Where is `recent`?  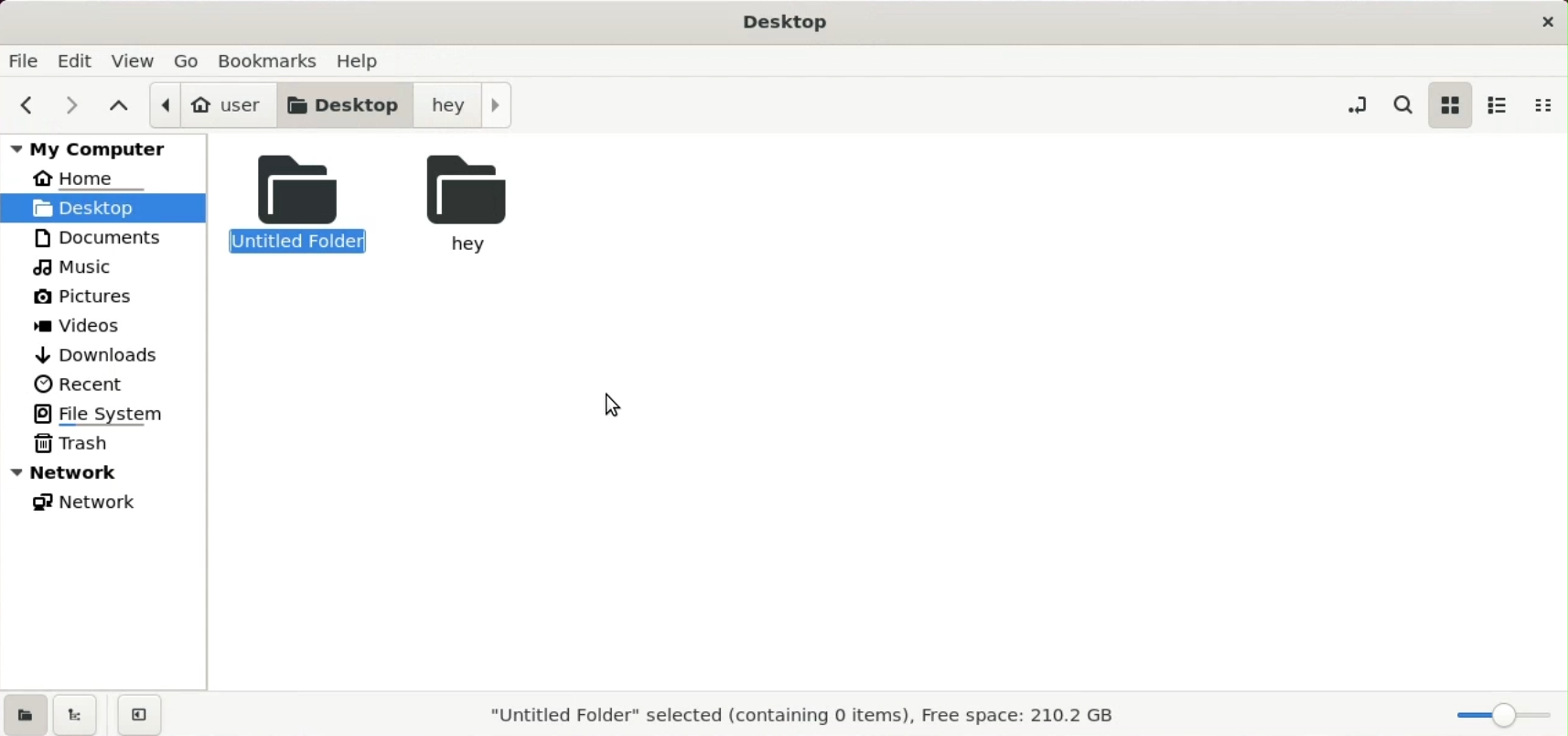
recent is located at coordinates (89, 383).